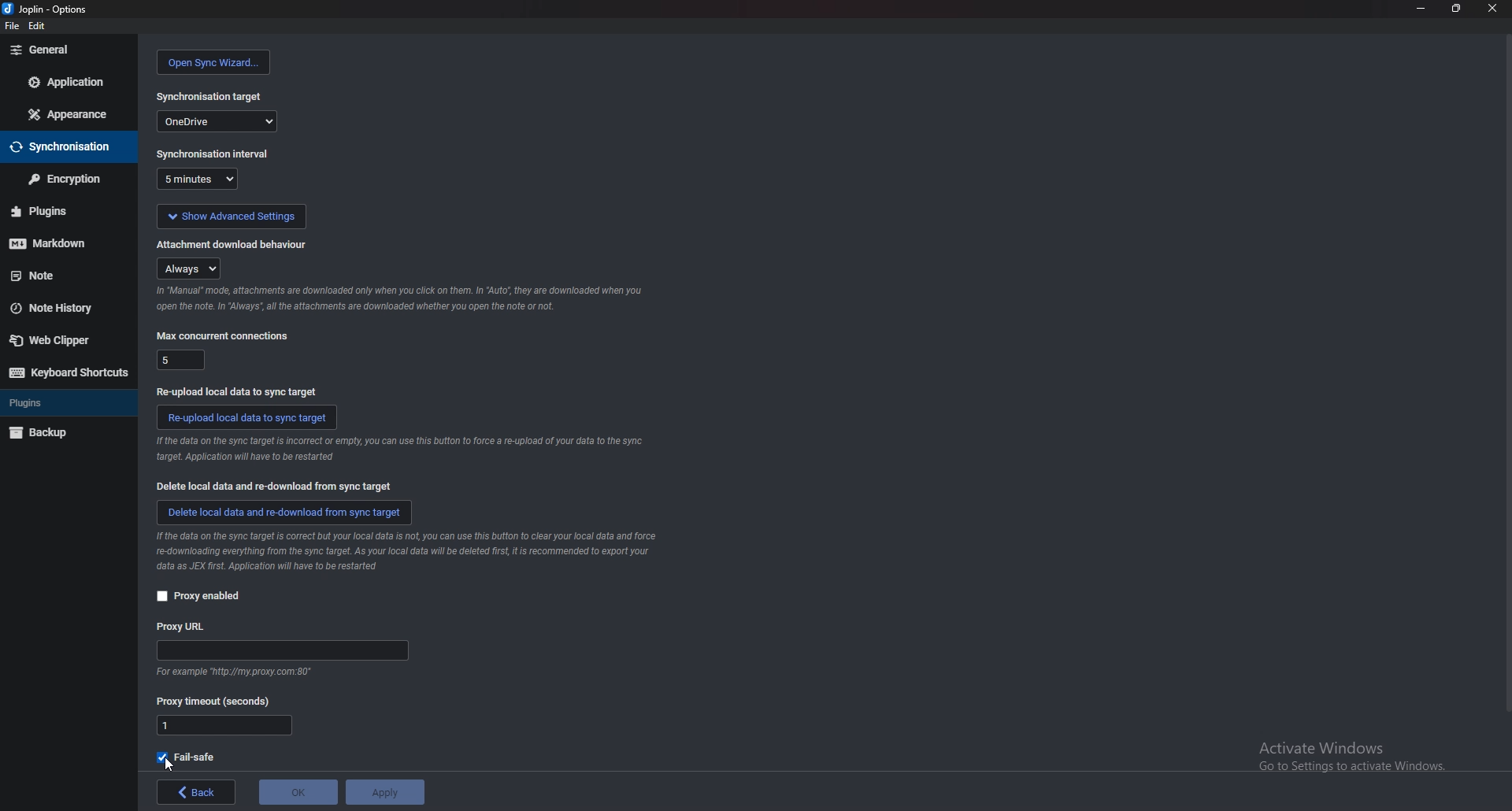 Image resolution: width=1512 pixels, height=811 pixels. What do you see at coordinates (71, 113) in the screenshot?
I see `appearance` at bounding box center [71, 113].